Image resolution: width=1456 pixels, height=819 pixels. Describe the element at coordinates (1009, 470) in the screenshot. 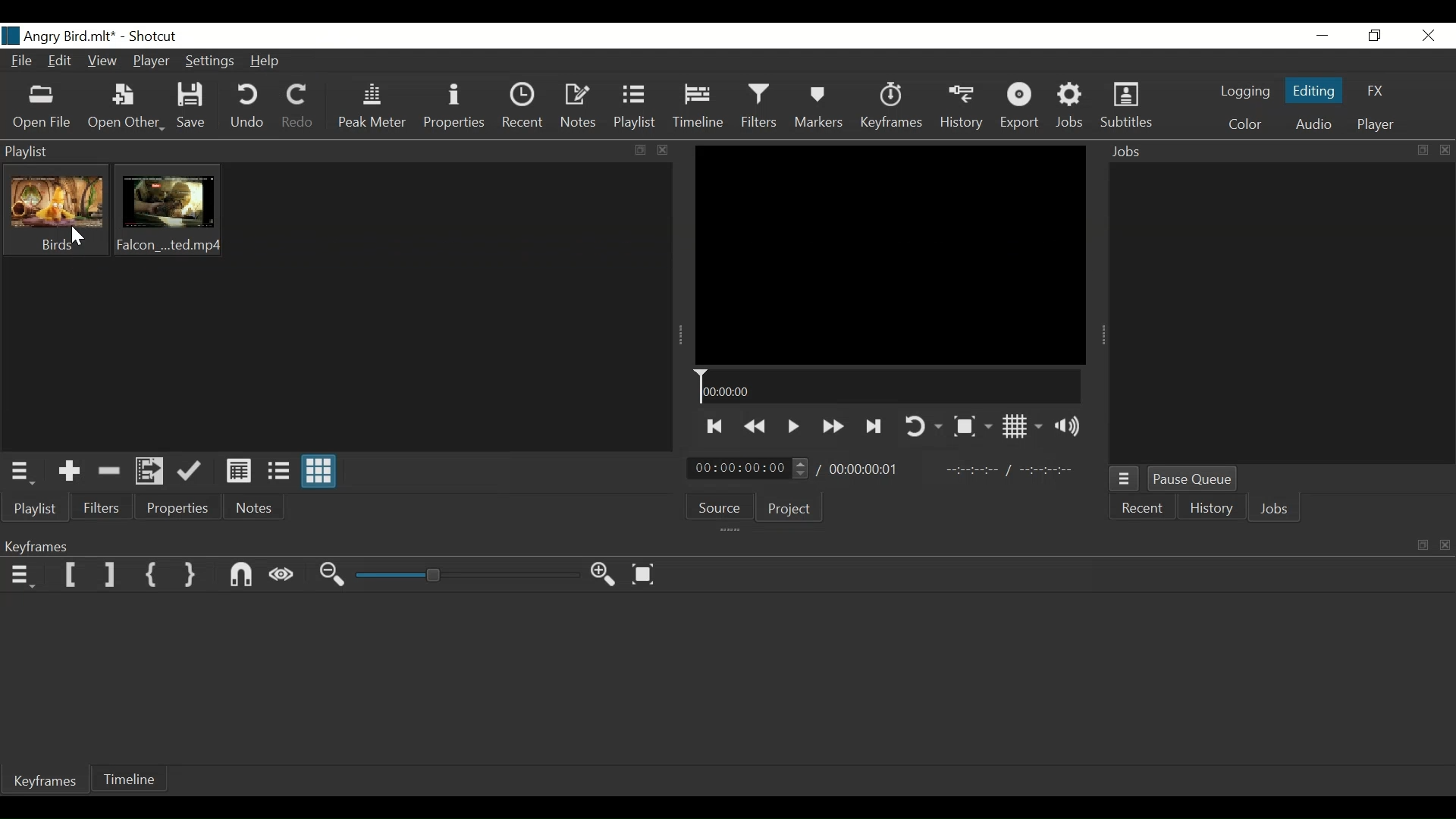

I see `In point` at that location.